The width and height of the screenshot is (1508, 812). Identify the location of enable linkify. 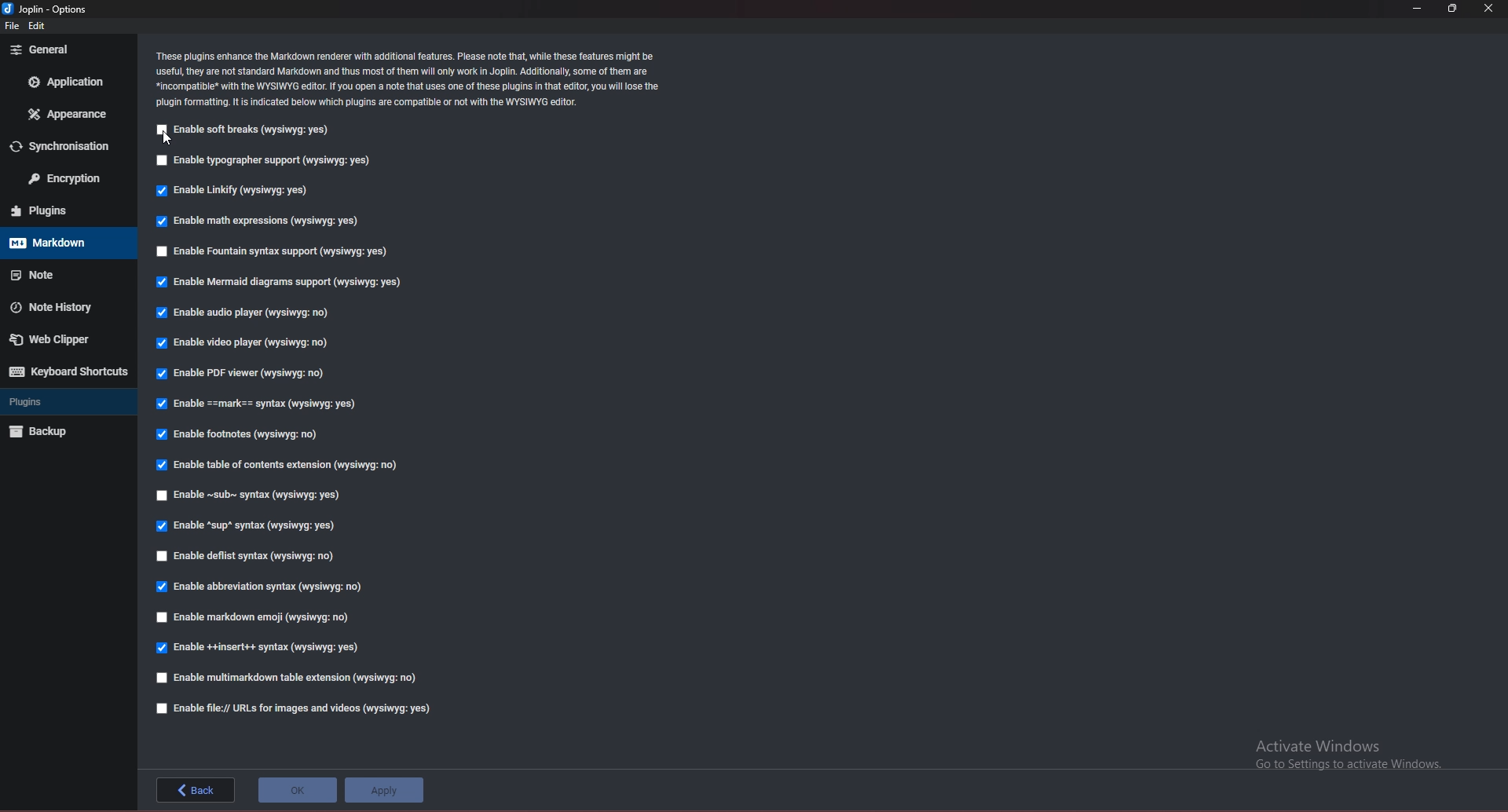
(239, 189).